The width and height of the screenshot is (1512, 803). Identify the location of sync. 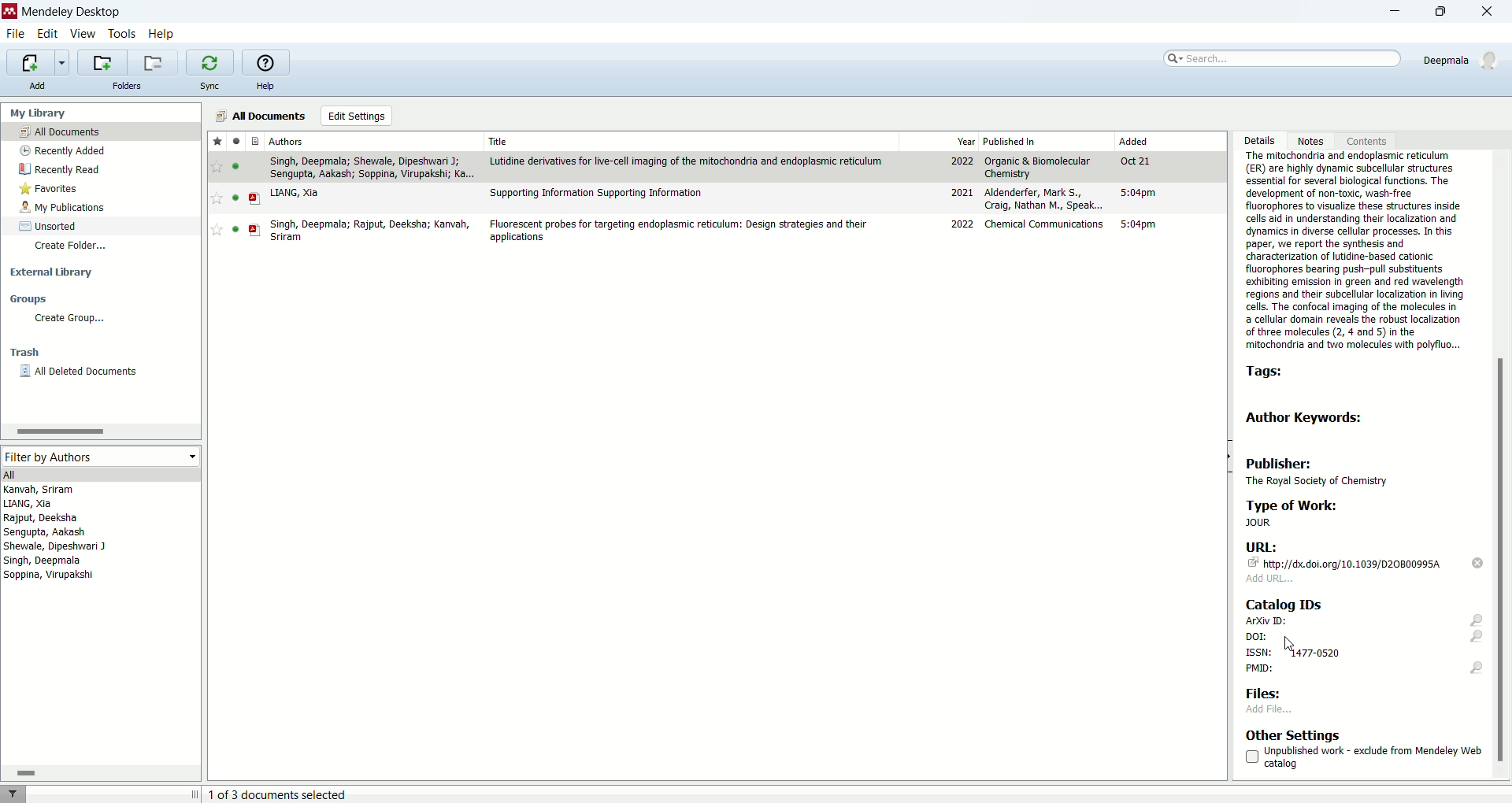
(209, 86).